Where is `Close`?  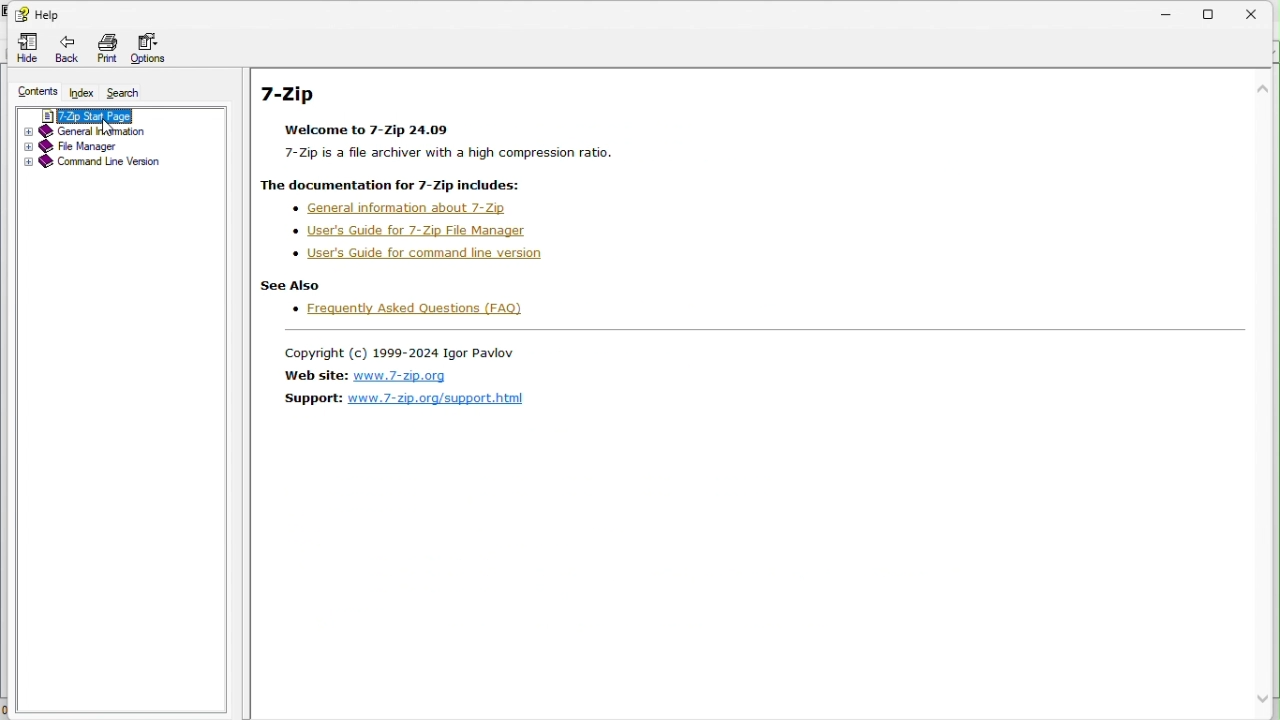
Close is located at coordinates (1261, 9).